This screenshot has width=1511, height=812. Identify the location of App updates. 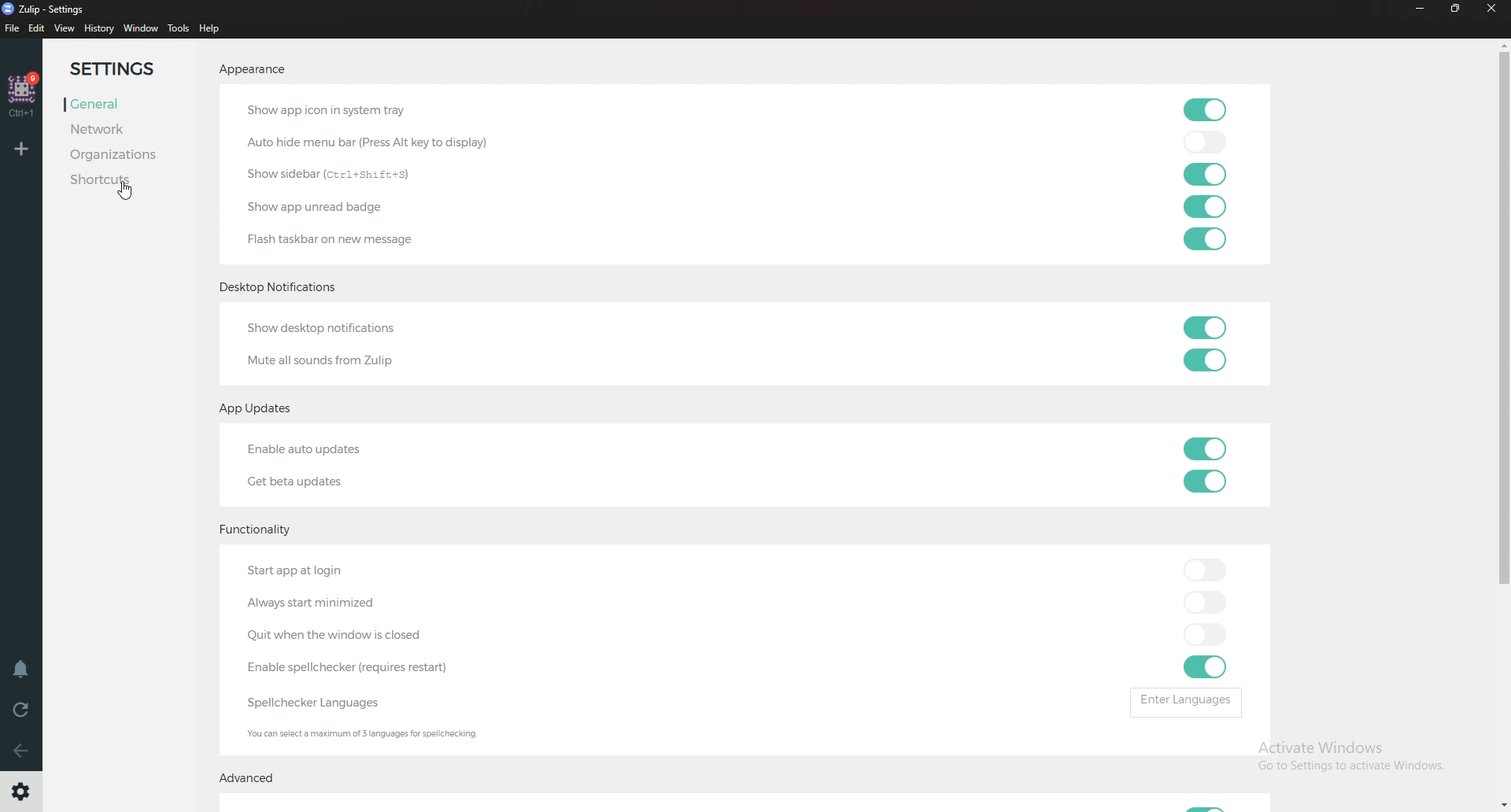
(260, 410).